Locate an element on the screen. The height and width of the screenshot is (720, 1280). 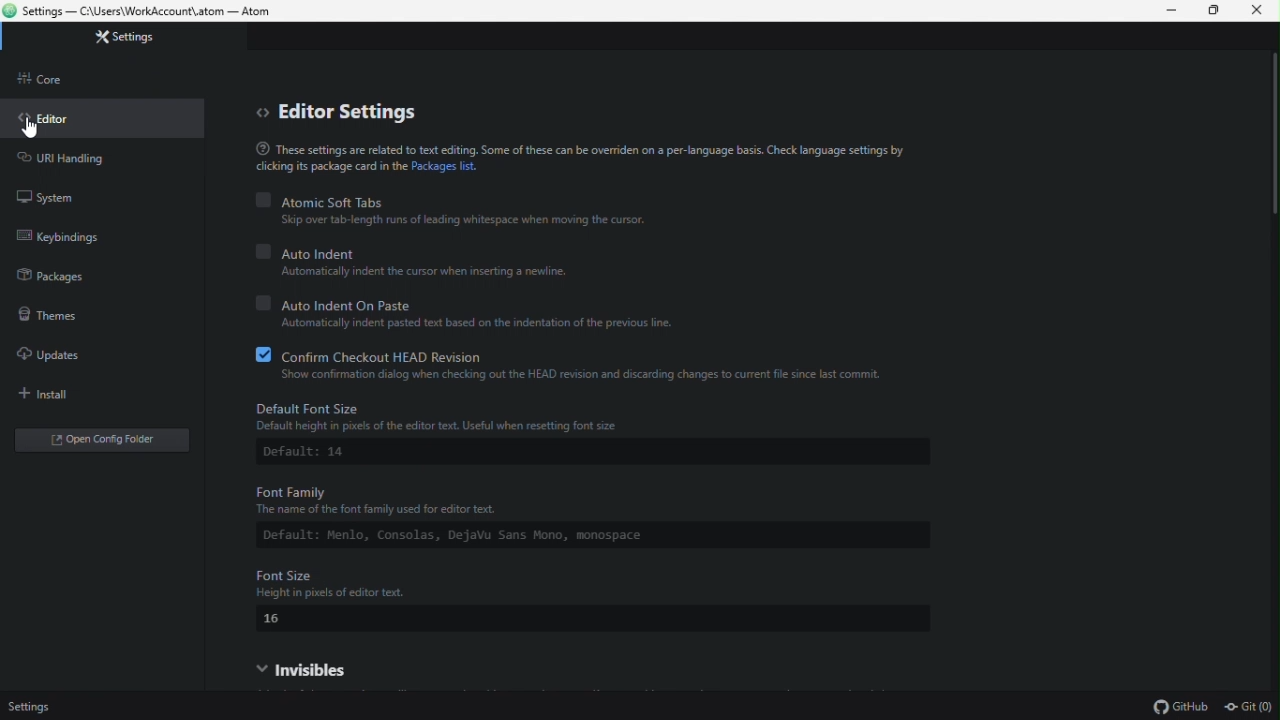
Invisible is located at coordinates (325, 669).